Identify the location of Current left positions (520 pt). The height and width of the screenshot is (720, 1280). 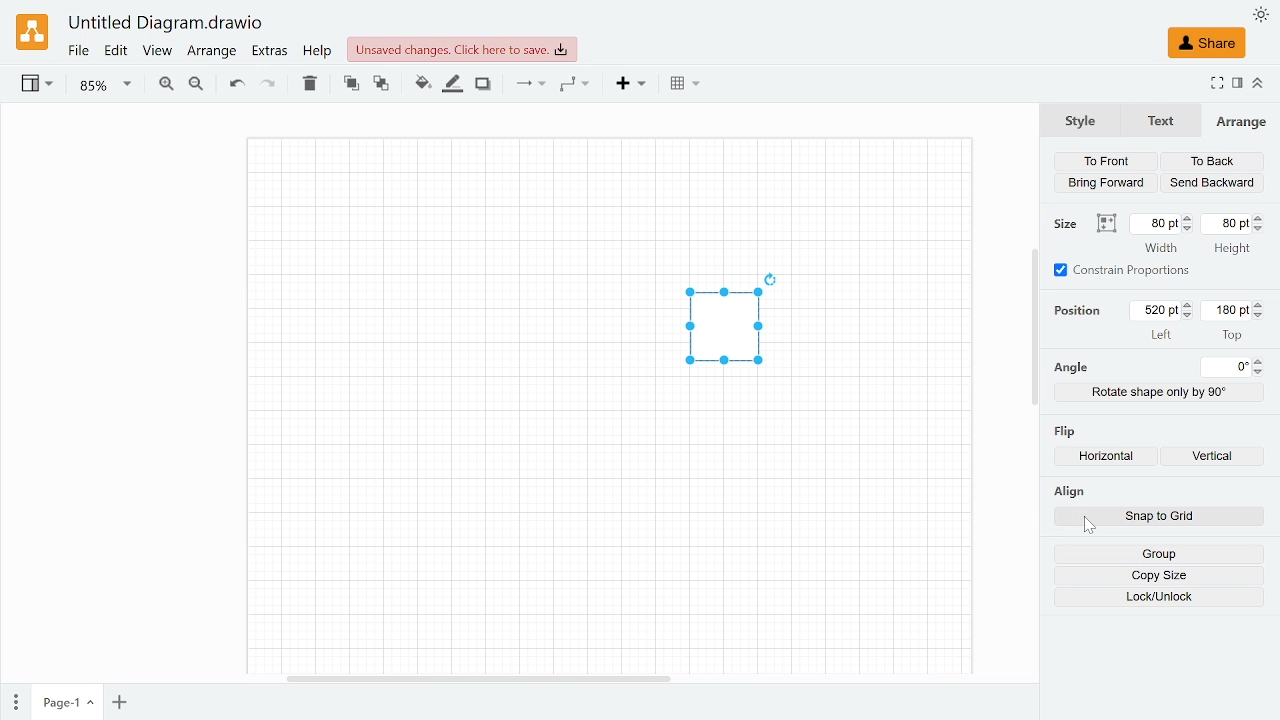
(1158, 310).